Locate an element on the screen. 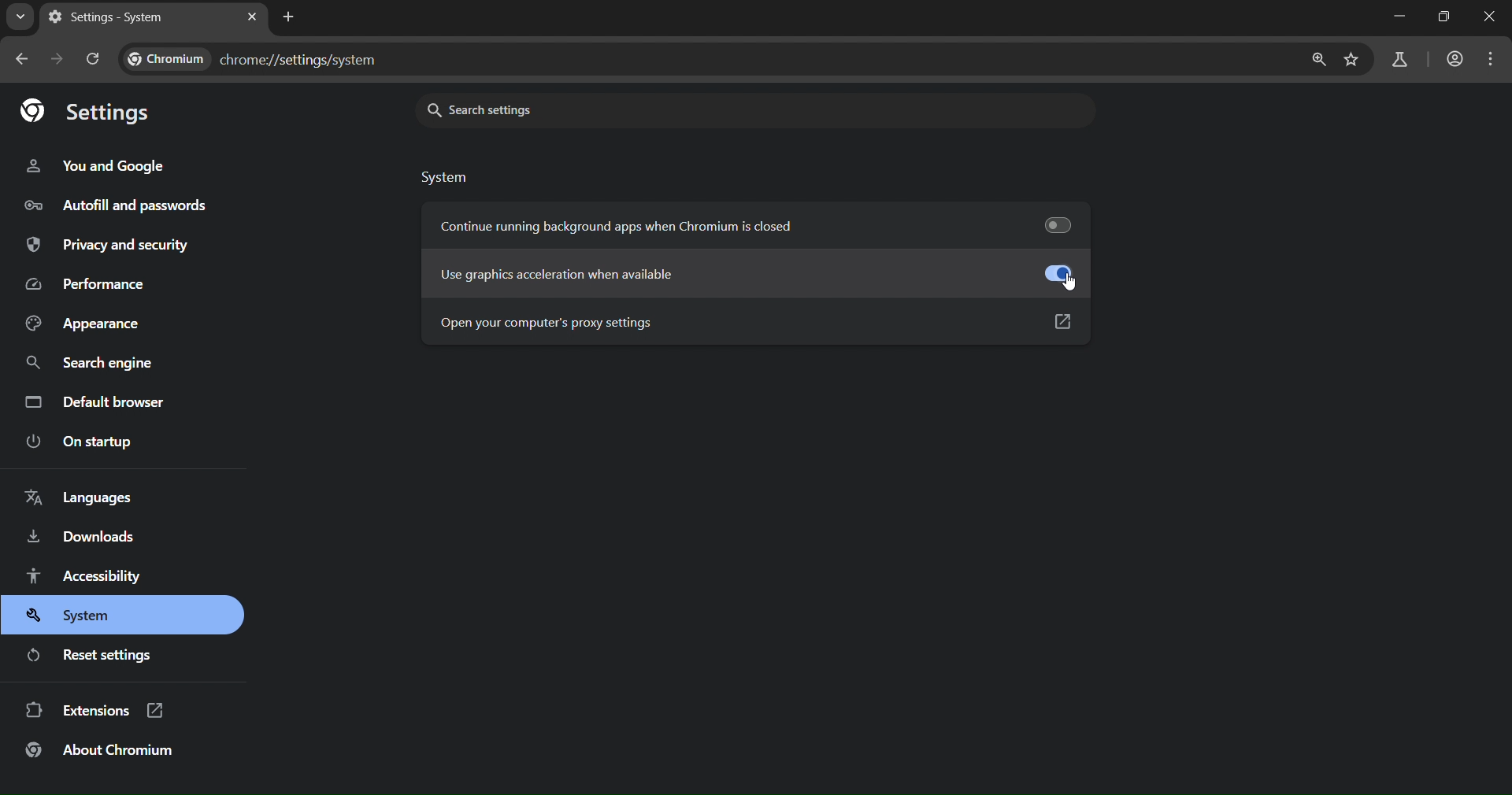  settings - system is located at coordinates (118, 19).